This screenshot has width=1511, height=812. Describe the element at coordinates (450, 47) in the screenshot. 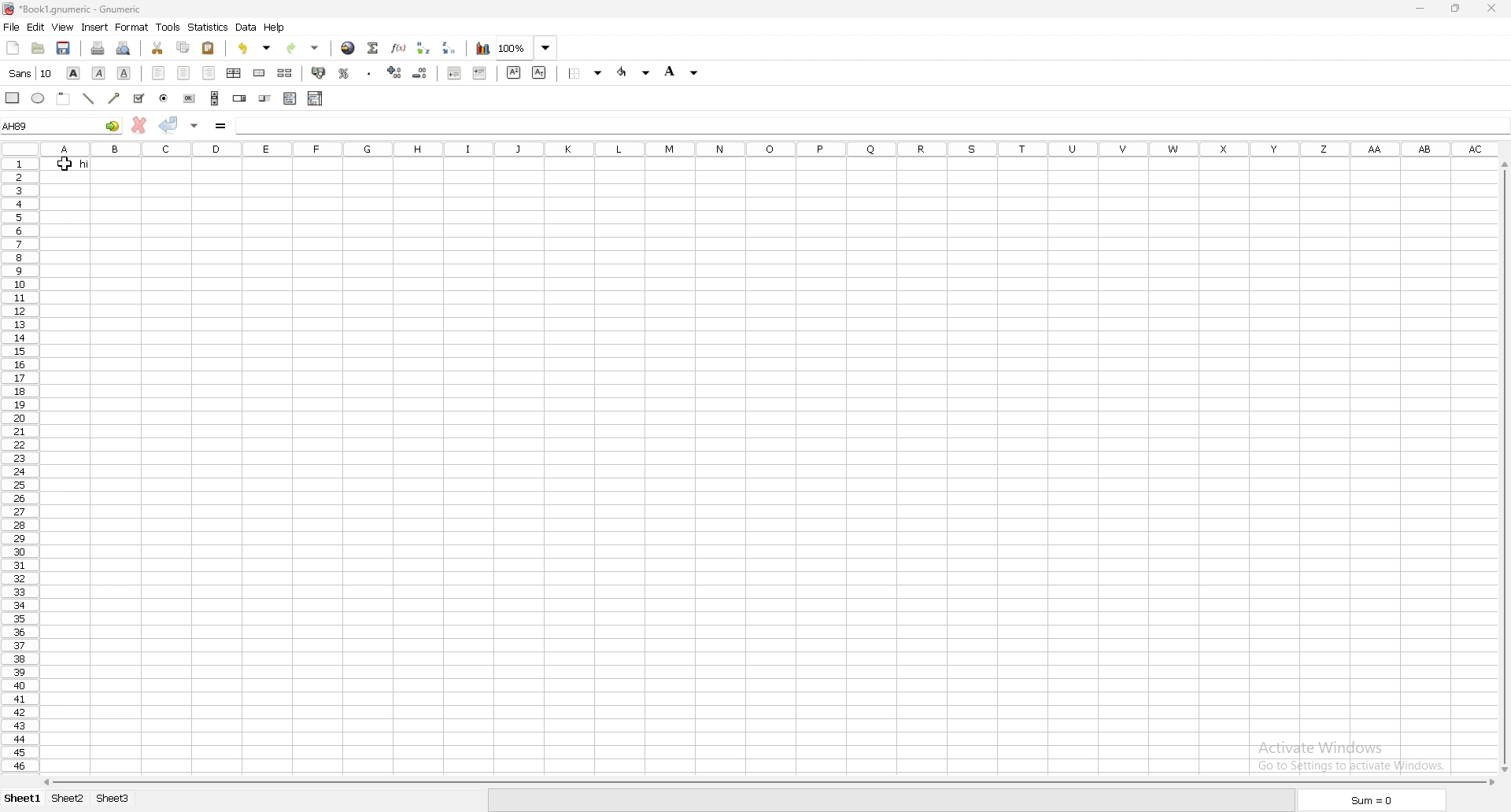

I see `sort descending` at that location.